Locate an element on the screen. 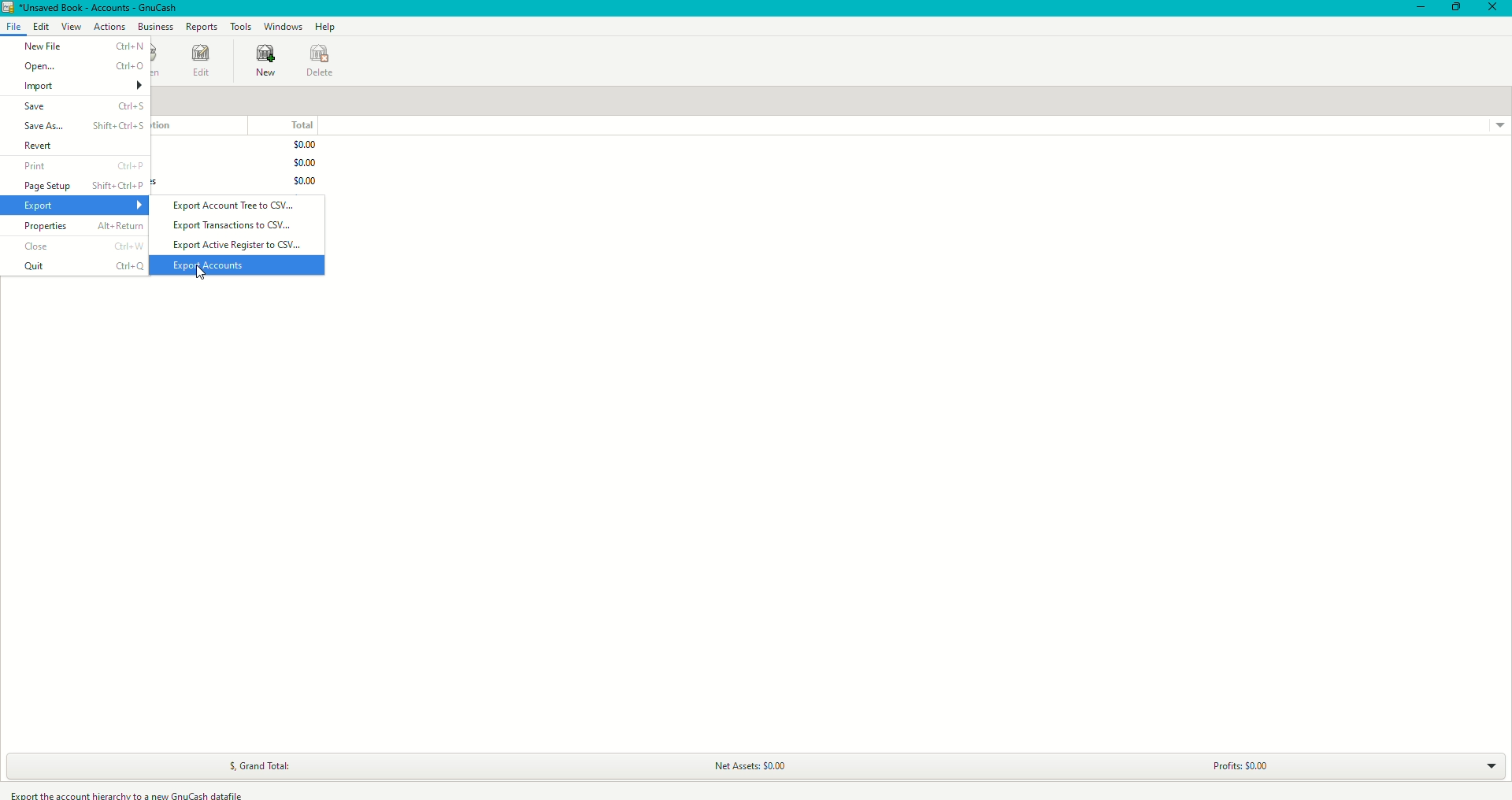  Close is located at coordinates (82, 246).